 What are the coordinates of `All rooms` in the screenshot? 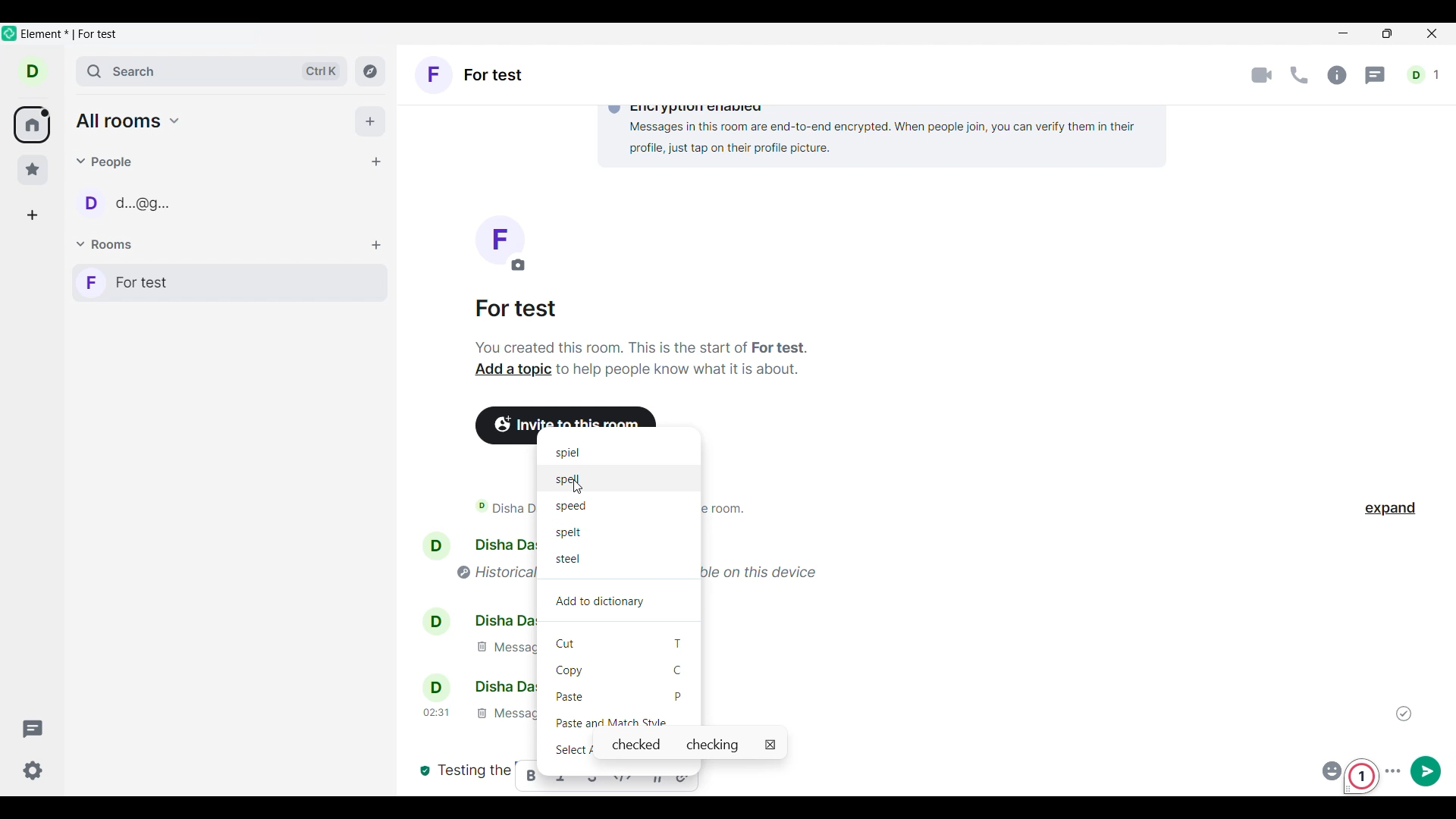 It's located at (32, 125).